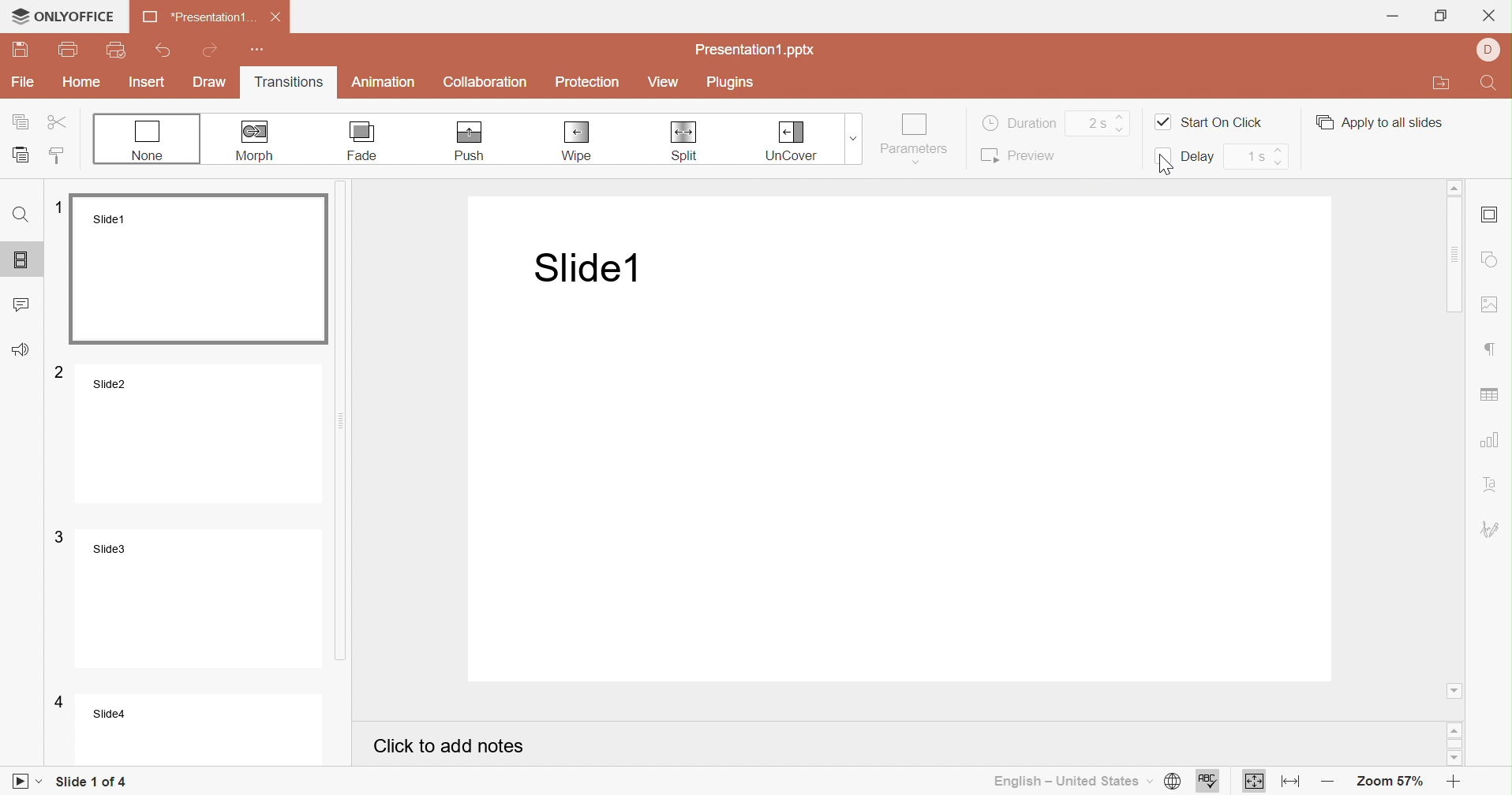 This screenshot has width=1512, height=795. Describe the element at coordinates (588, 83) in the screenshot. I see `Protection` at that location.